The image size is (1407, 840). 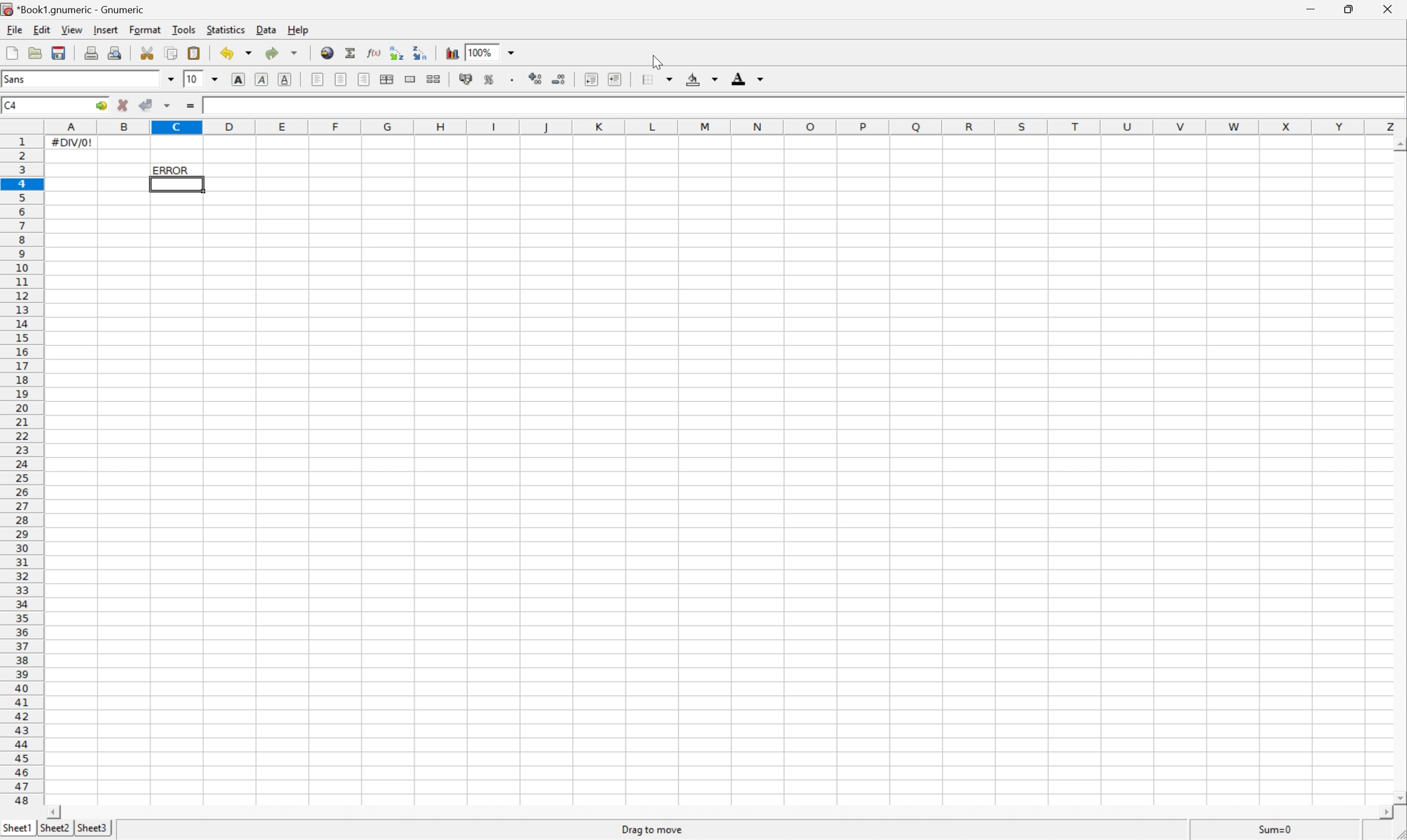 I want to click on Copy the selection, so click(x=173, y=53).